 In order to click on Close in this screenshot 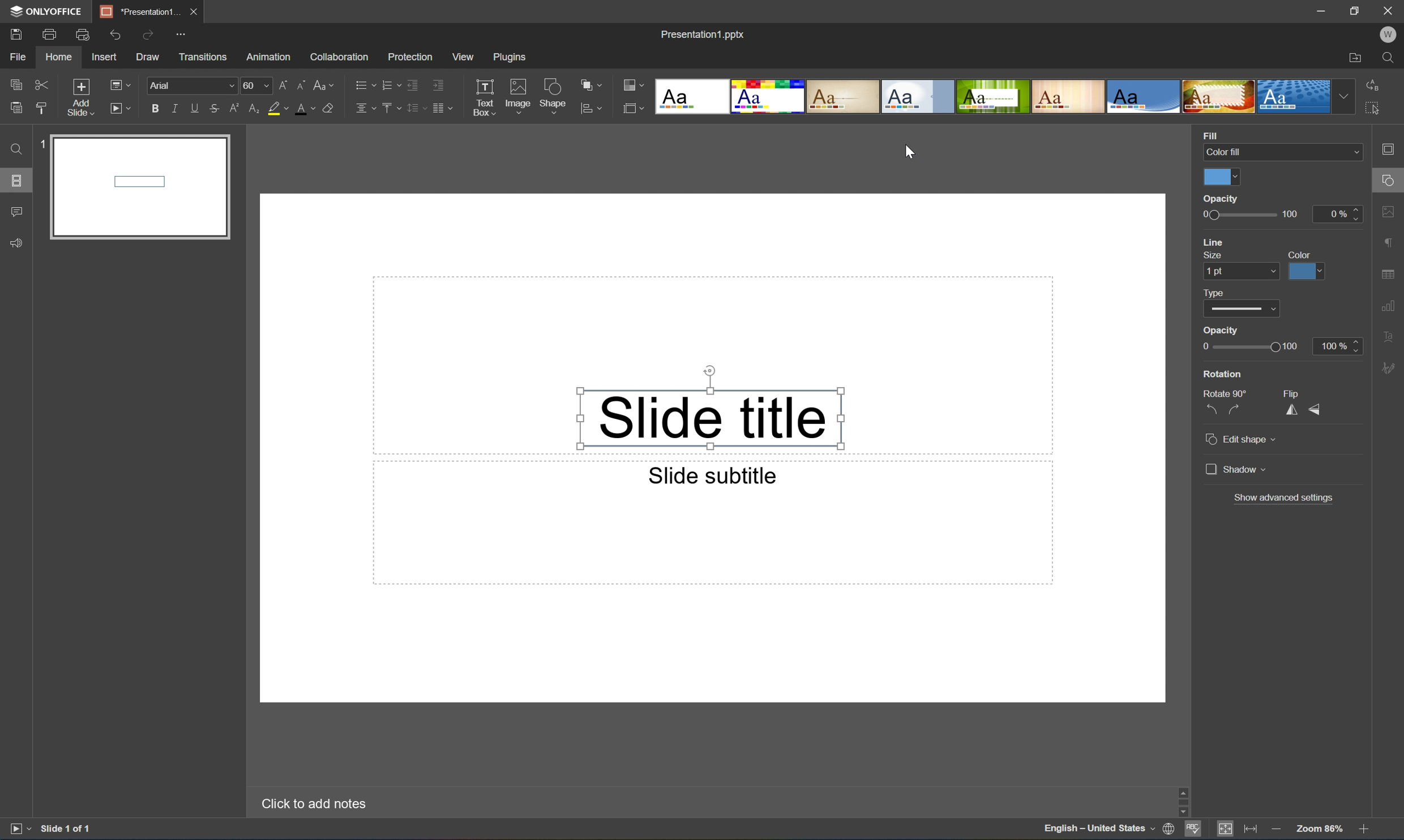, I will do `click(194, 11)`.